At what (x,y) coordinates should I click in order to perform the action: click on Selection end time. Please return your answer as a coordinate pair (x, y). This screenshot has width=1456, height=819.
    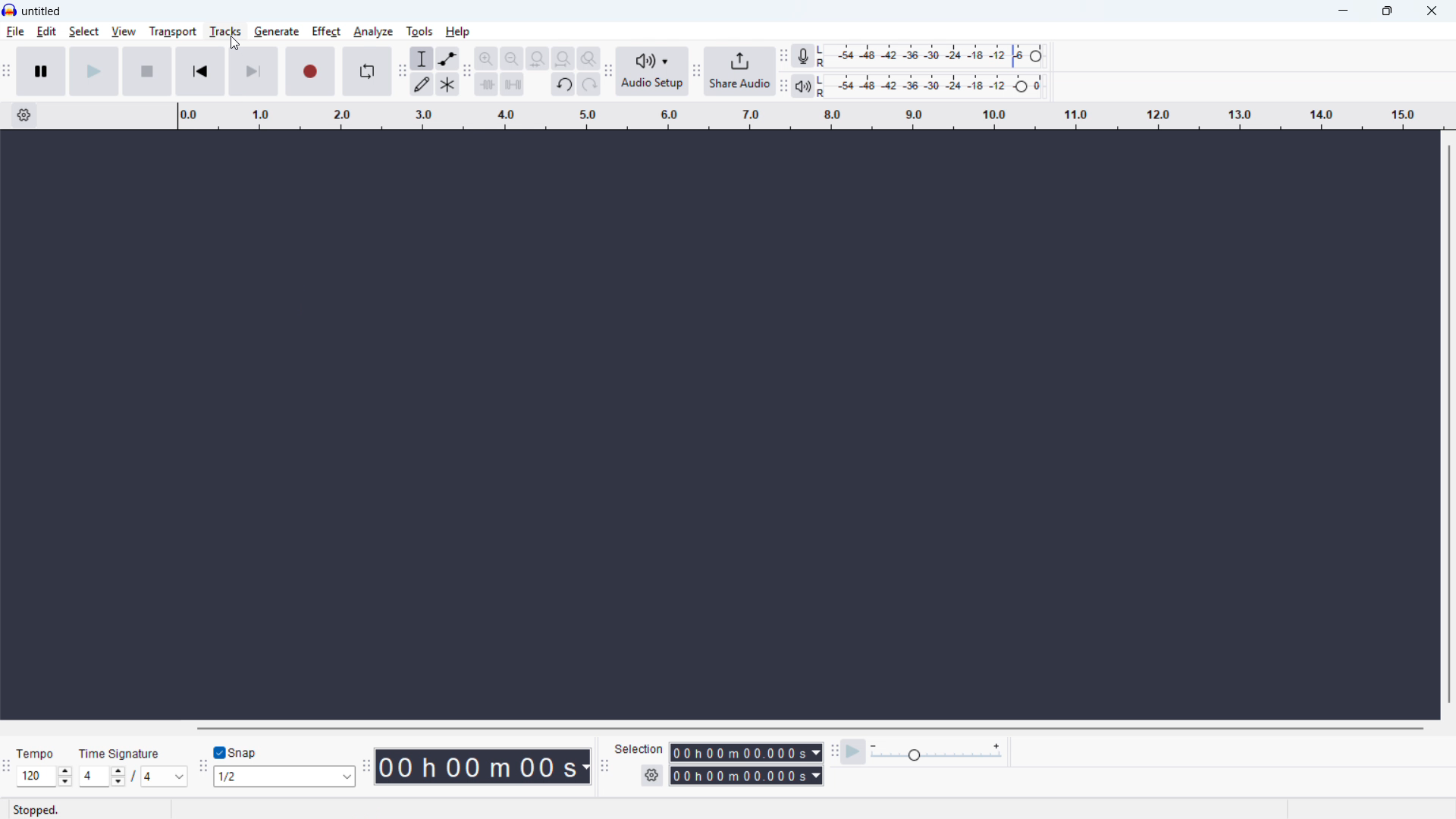
    Looking at the image, I should click on (748, 776).